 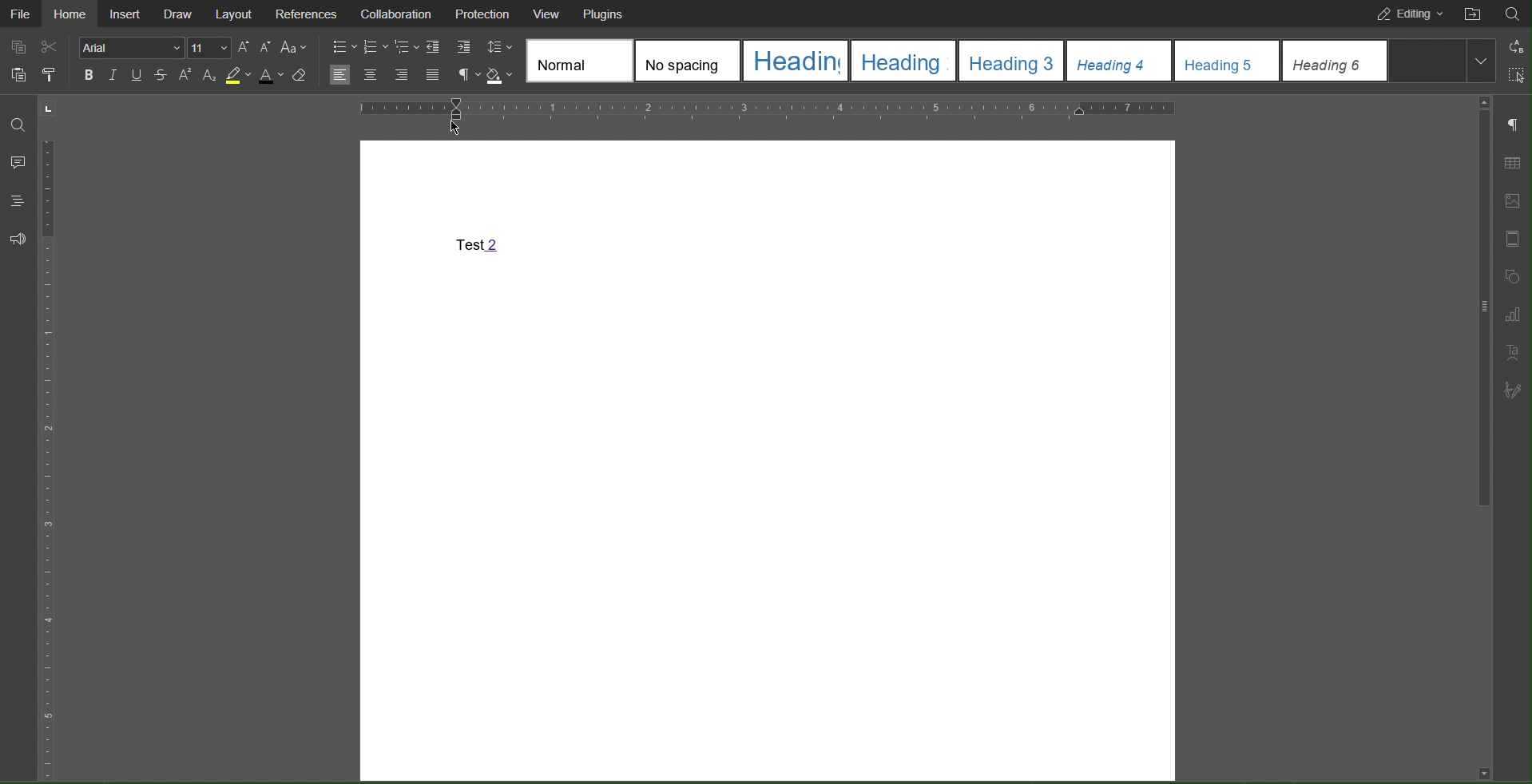 What do you see at coordinates (51, 46) in the screenshot?
I see `Cut` at bounding box center [51, 46].